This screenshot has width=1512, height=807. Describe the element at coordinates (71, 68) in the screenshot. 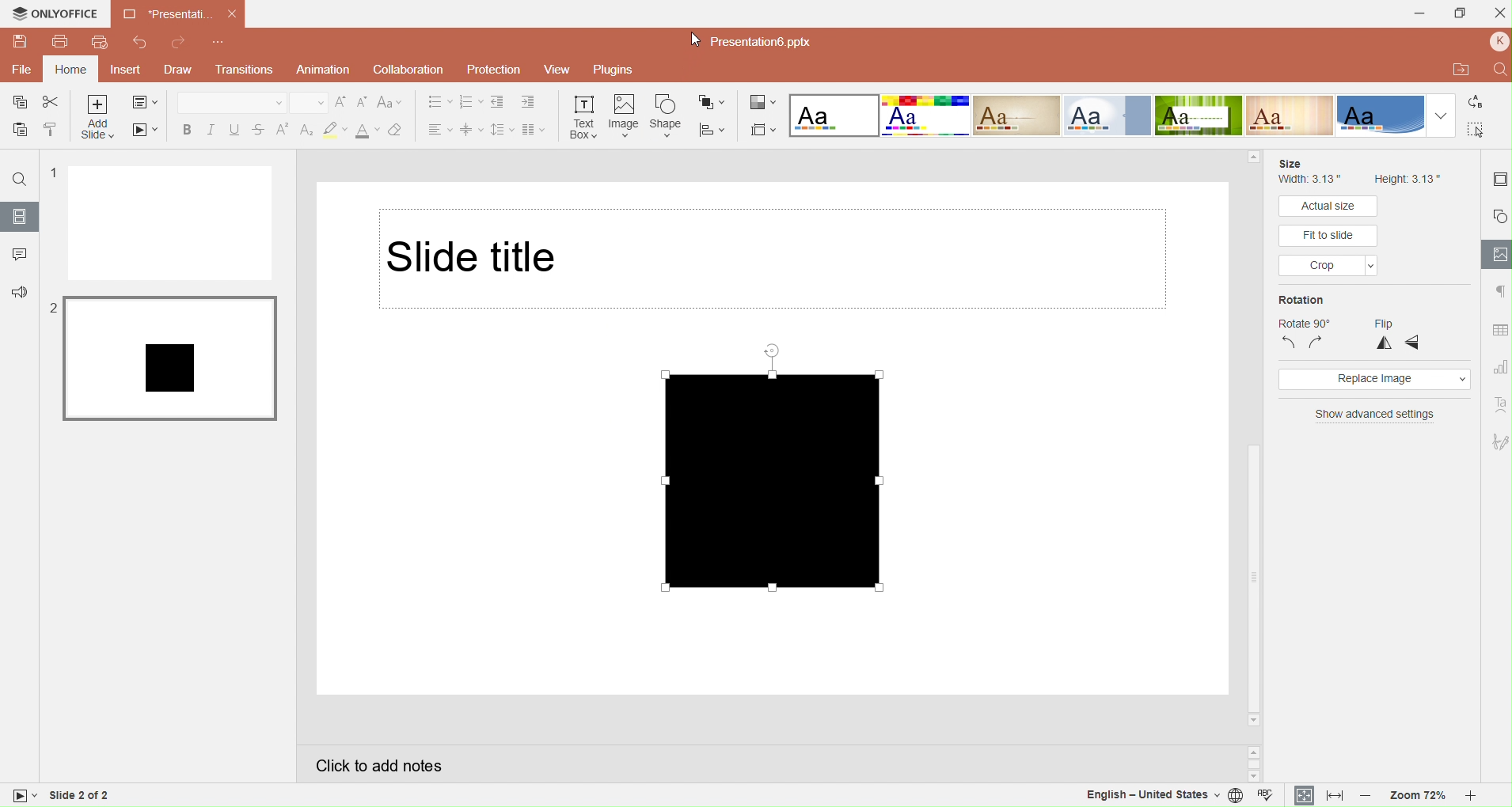

I see `Home` at that location.